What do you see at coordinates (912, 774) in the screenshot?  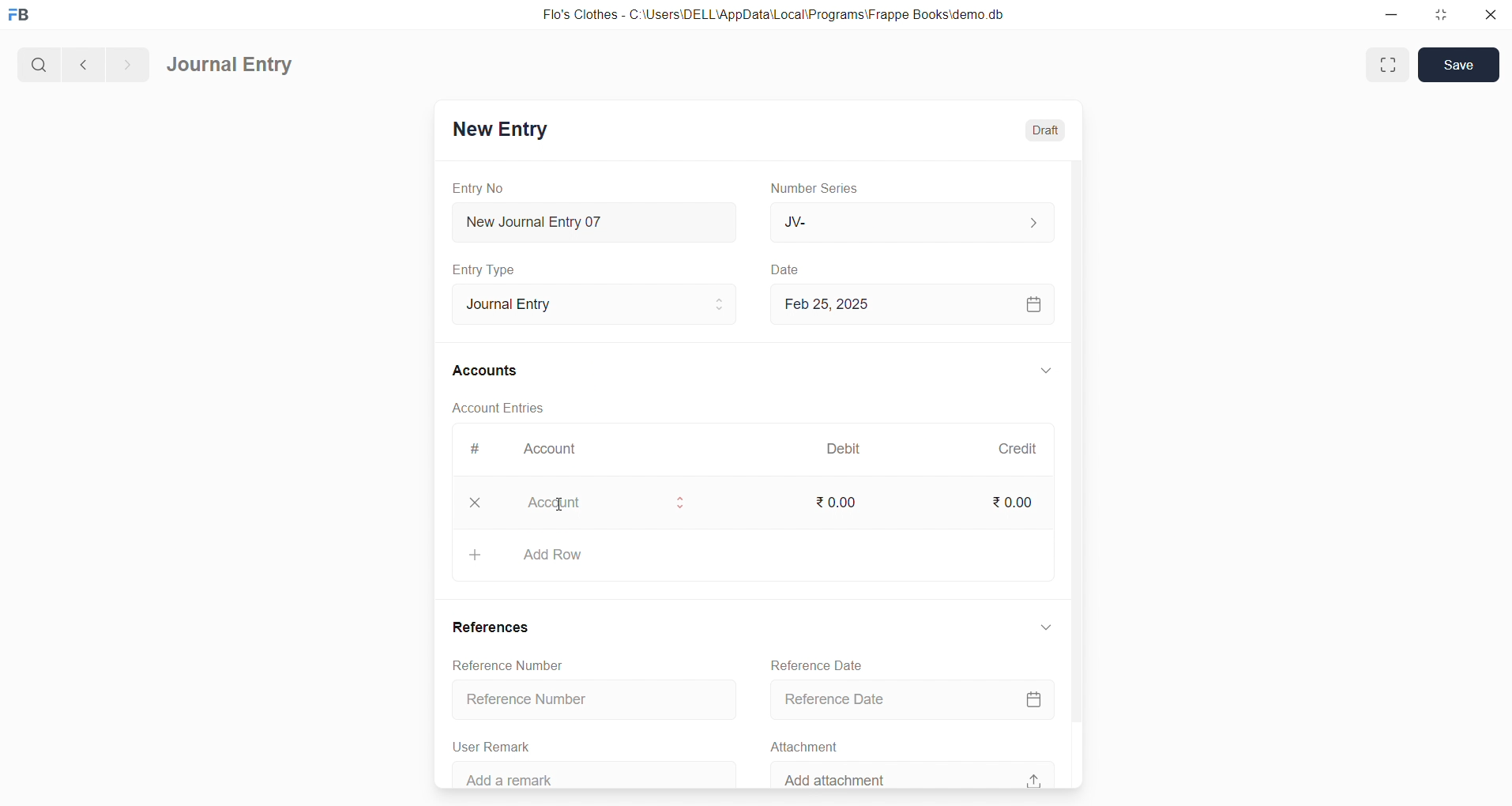 I see `Add attachment` at bounding box center [912, 774].